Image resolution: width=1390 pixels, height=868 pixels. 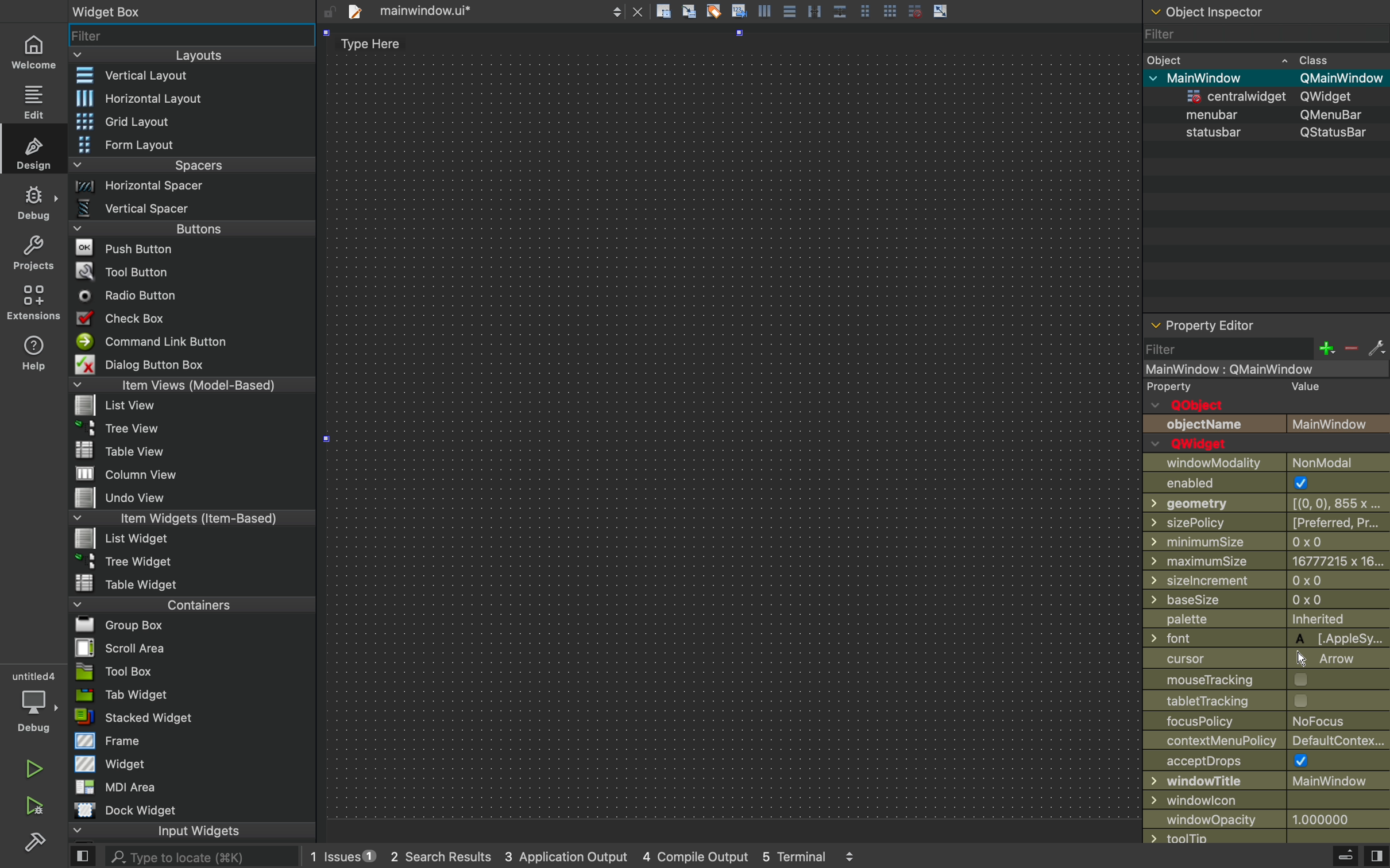 What do you see at coordinates (32, 303) in the screenshot?
I see `environmnt` at bounding box center [32, 303].